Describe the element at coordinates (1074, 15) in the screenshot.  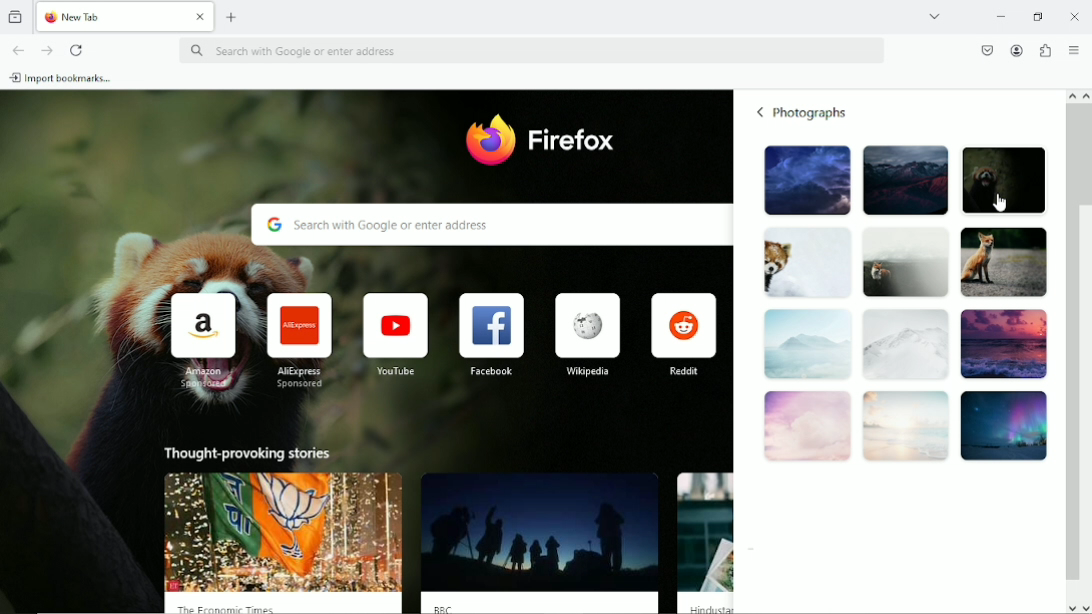
I see `Close` at that location.